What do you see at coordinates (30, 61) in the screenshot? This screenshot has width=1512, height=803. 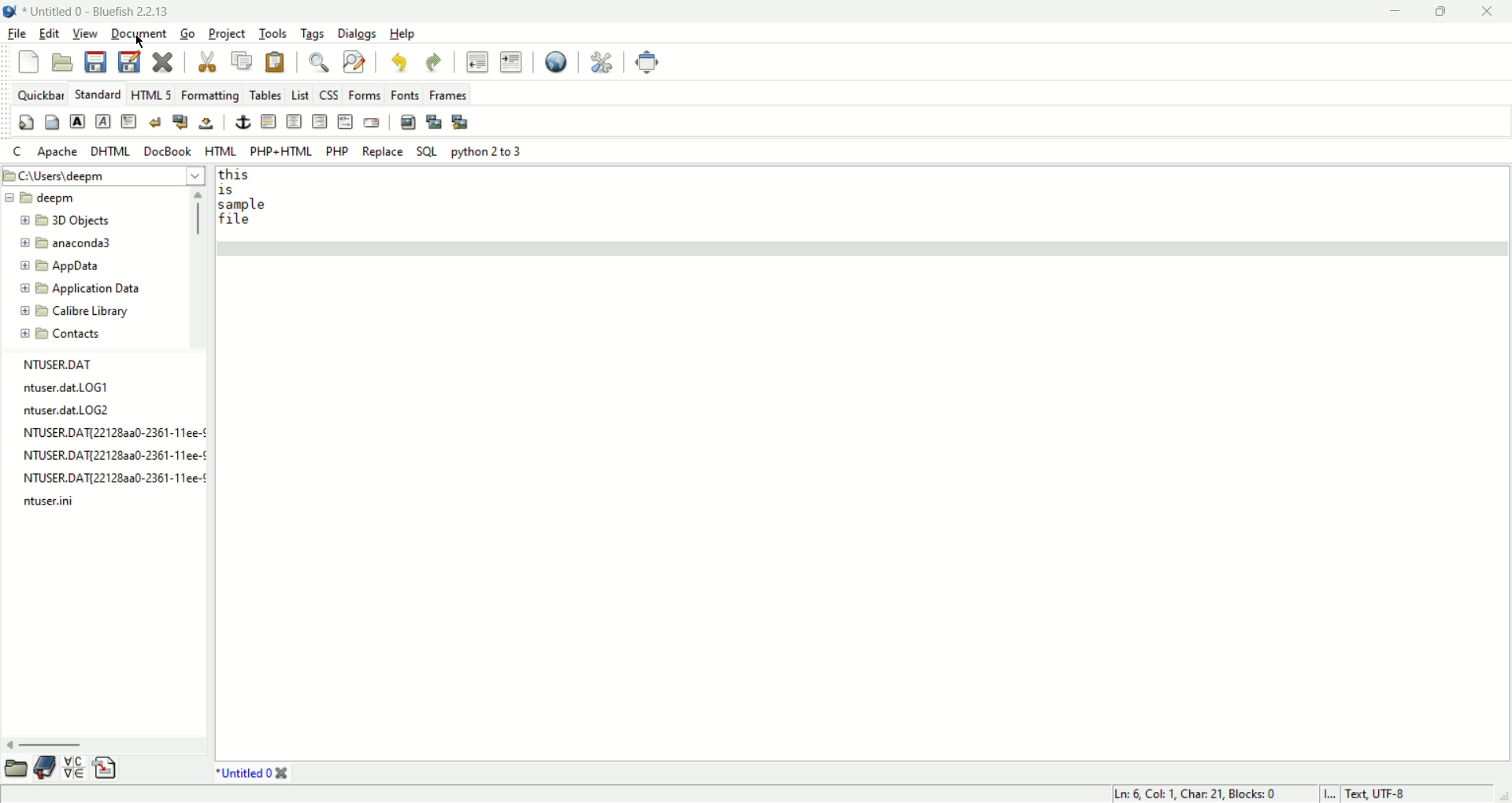 I see `new` at bounding box center [30, 61].